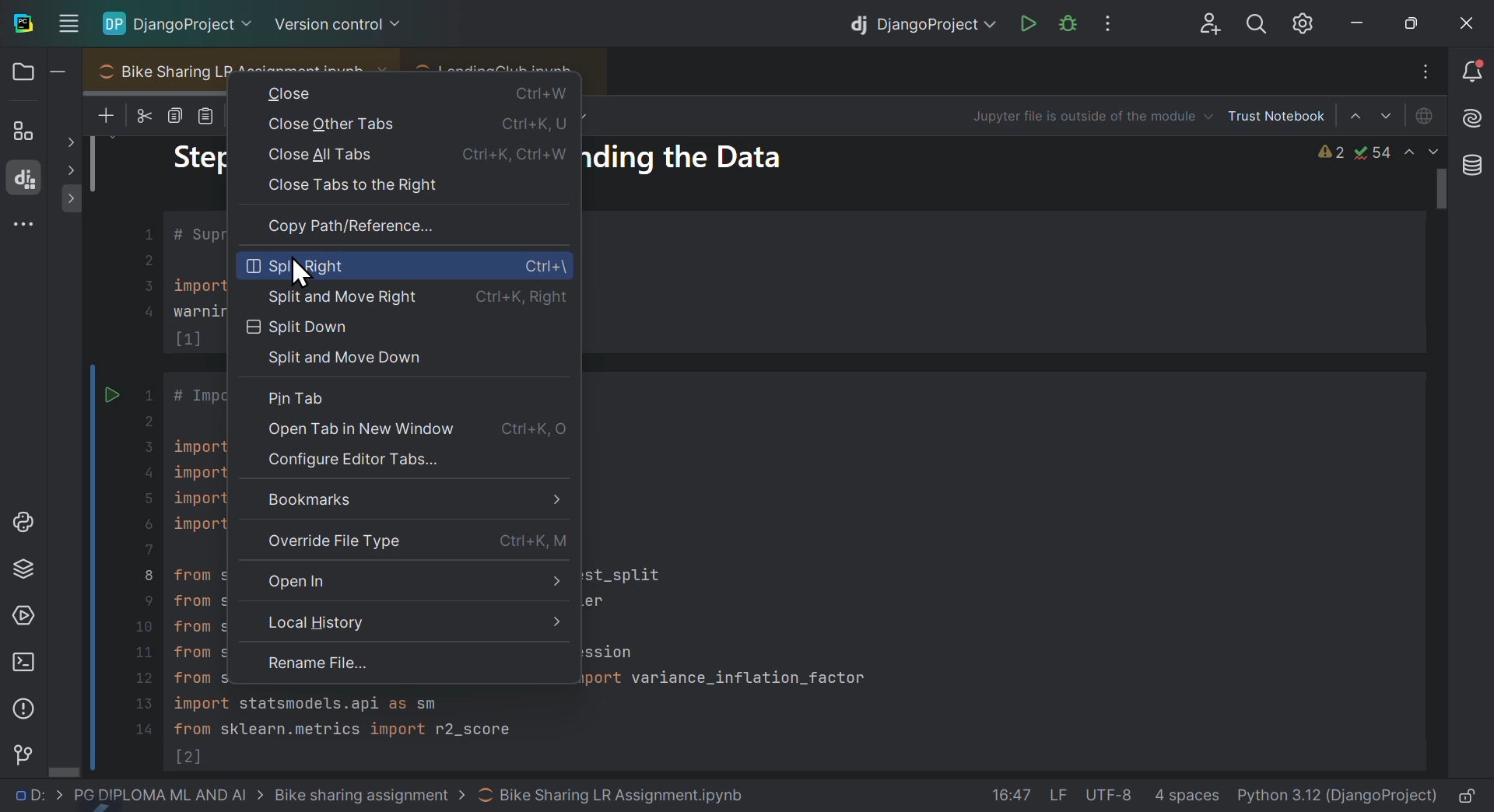 Image resolution: width=1494 pixels, height=812 pixels. What do you see at coordinates (1121, 23) in the screenshot?
I see `More options` at bounding box center [1121, 23].